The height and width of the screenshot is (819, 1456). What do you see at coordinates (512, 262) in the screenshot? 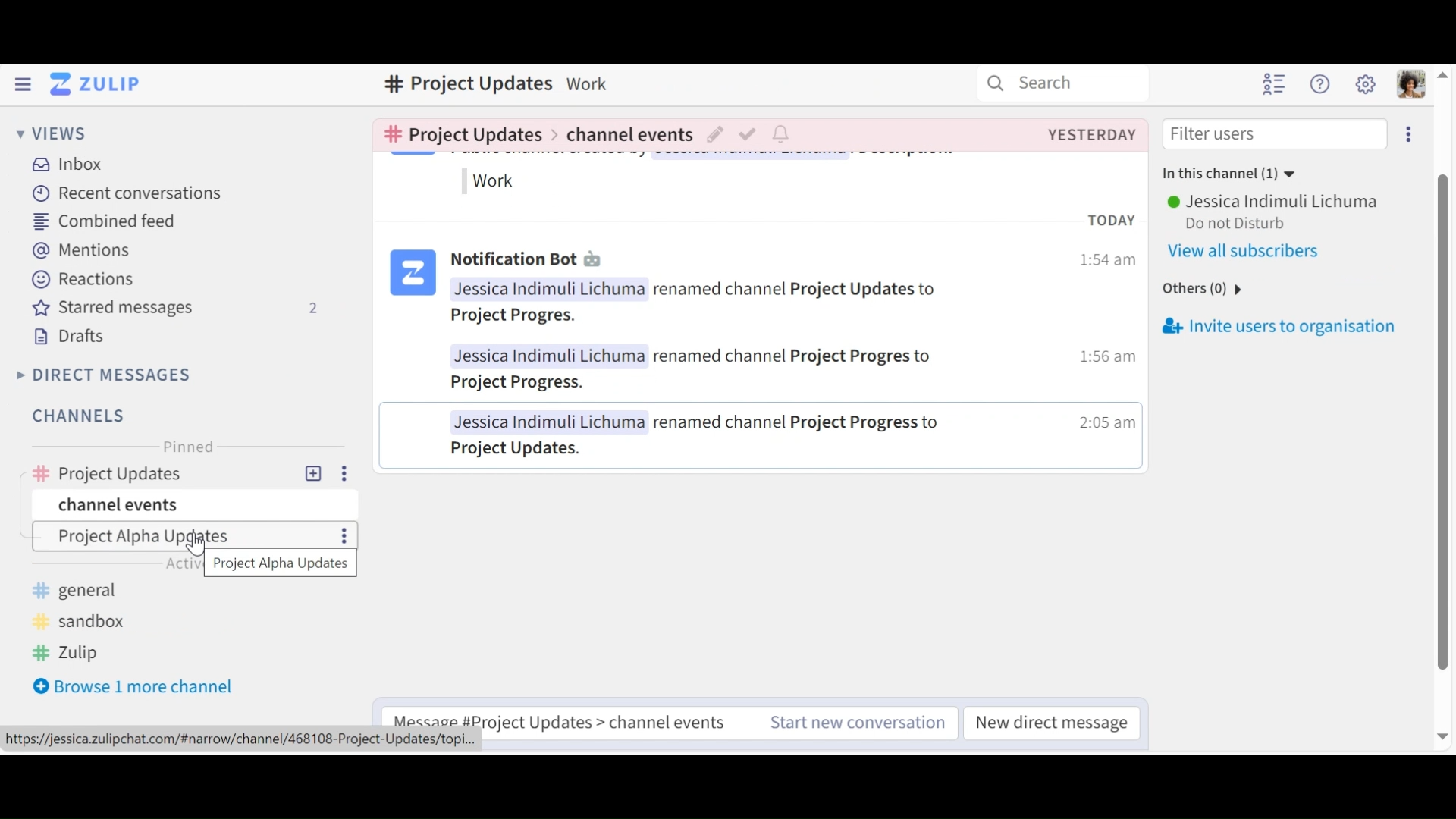
I see `Notification Bot` at bounding box center [512, 262].